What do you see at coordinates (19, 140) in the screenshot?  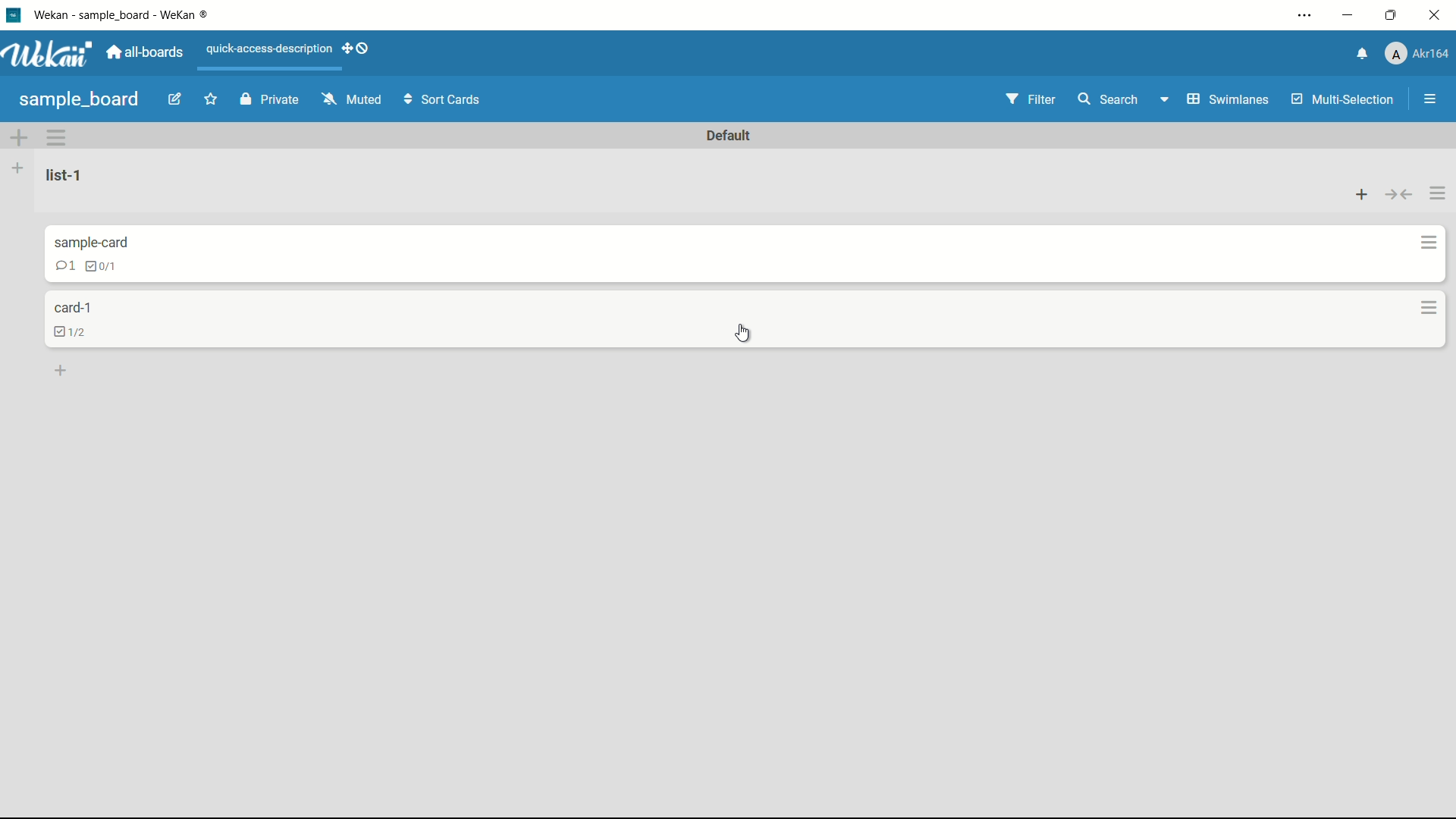 I see `add swimlane` at bounding box center [19, 140].